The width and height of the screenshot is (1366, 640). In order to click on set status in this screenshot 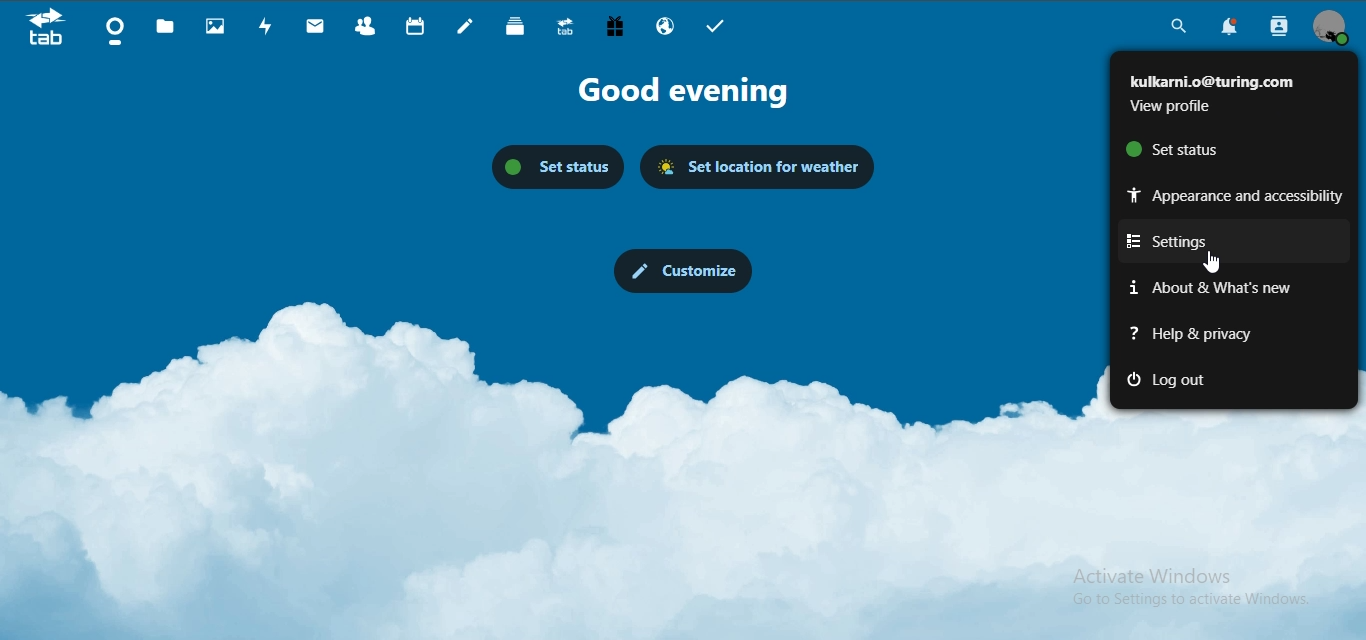, I will do `click(1183, 154)`.